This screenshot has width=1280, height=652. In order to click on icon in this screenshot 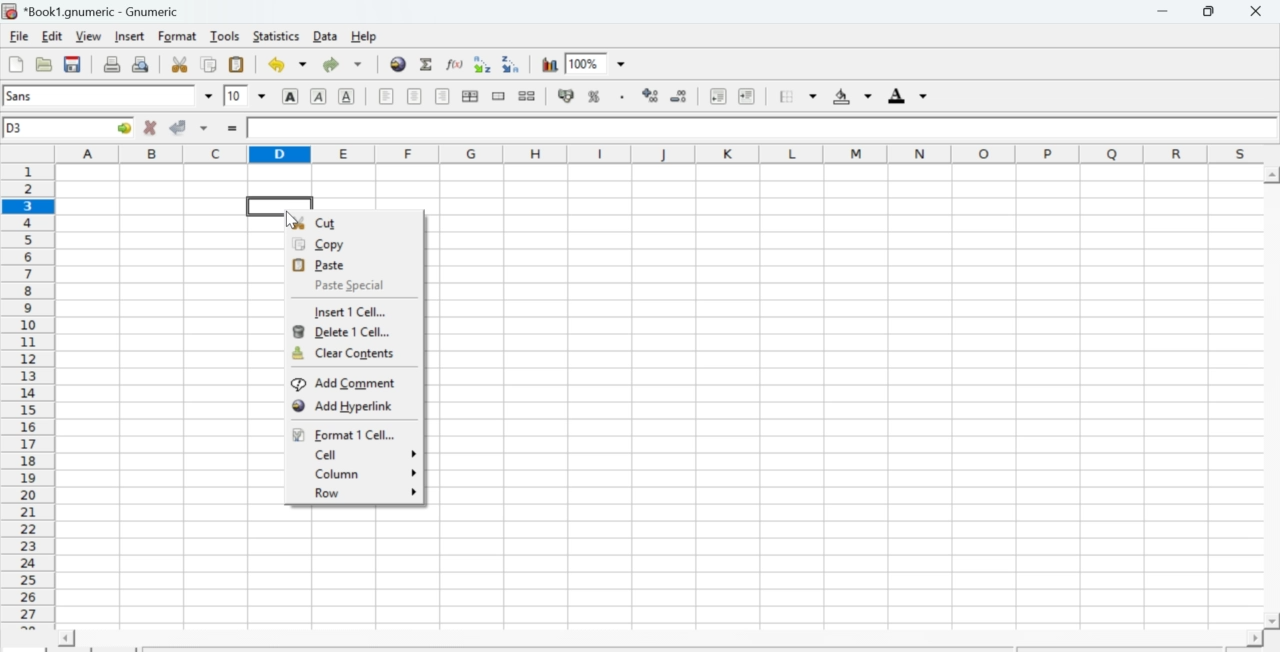, I will do `click(10, 11)`.